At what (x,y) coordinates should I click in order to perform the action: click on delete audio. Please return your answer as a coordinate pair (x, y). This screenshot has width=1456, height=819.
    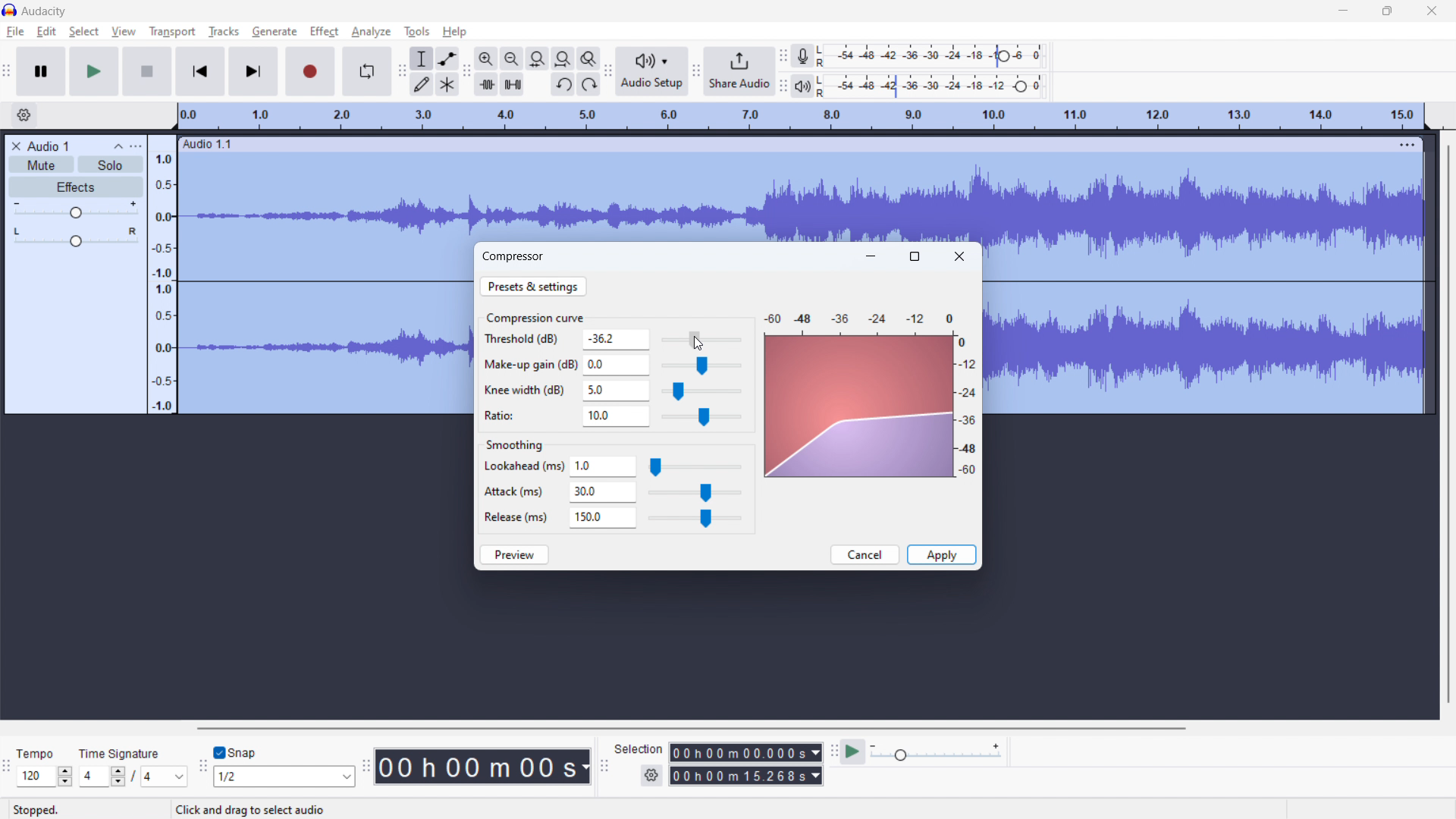
    Looking at the image, I should click on (15, 146).